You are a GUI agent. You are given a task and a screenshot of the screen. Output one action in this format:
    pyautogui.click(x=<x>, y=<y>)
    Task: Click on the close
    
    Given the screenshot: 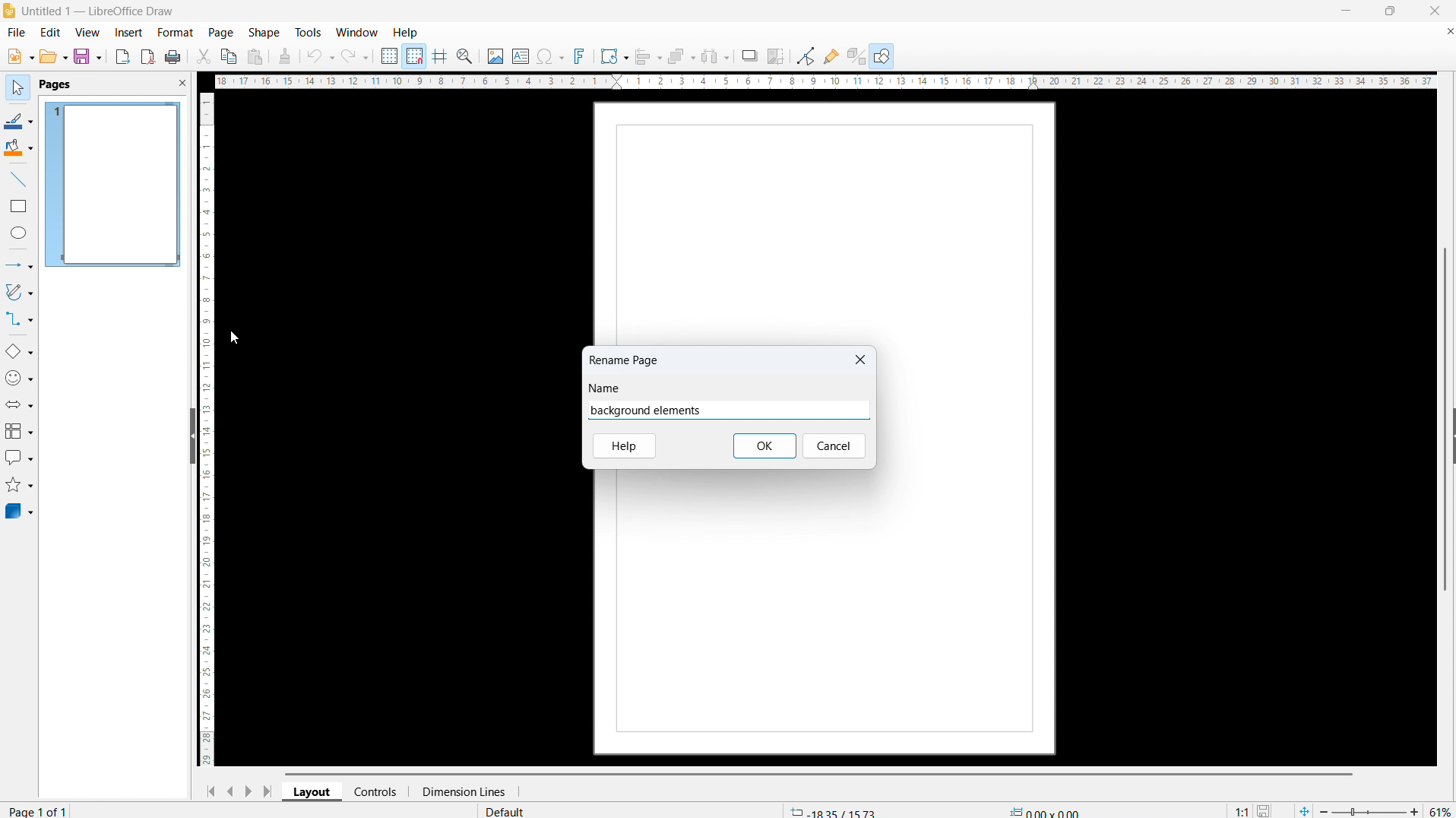 What is the action you would take?
    pyautogui.click(x=1435, y=11)
    